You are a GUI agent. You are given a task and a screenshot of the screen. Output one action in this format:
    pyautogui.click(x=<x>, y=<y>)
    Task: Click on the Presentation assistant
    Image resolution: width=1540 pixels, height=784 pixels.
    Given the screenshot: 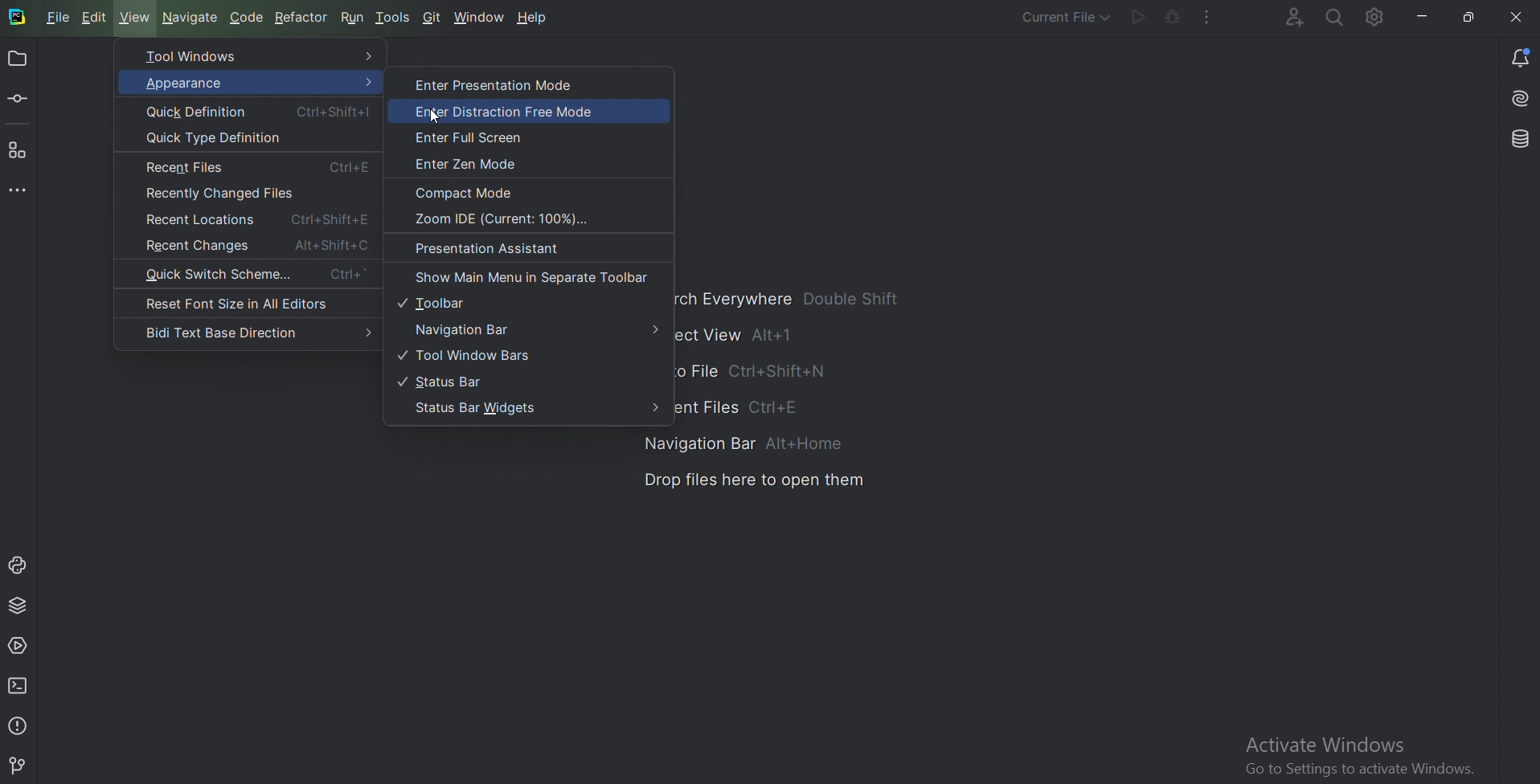 What is the action you would take?
    pyautogui.click(x=495, y=249)
    